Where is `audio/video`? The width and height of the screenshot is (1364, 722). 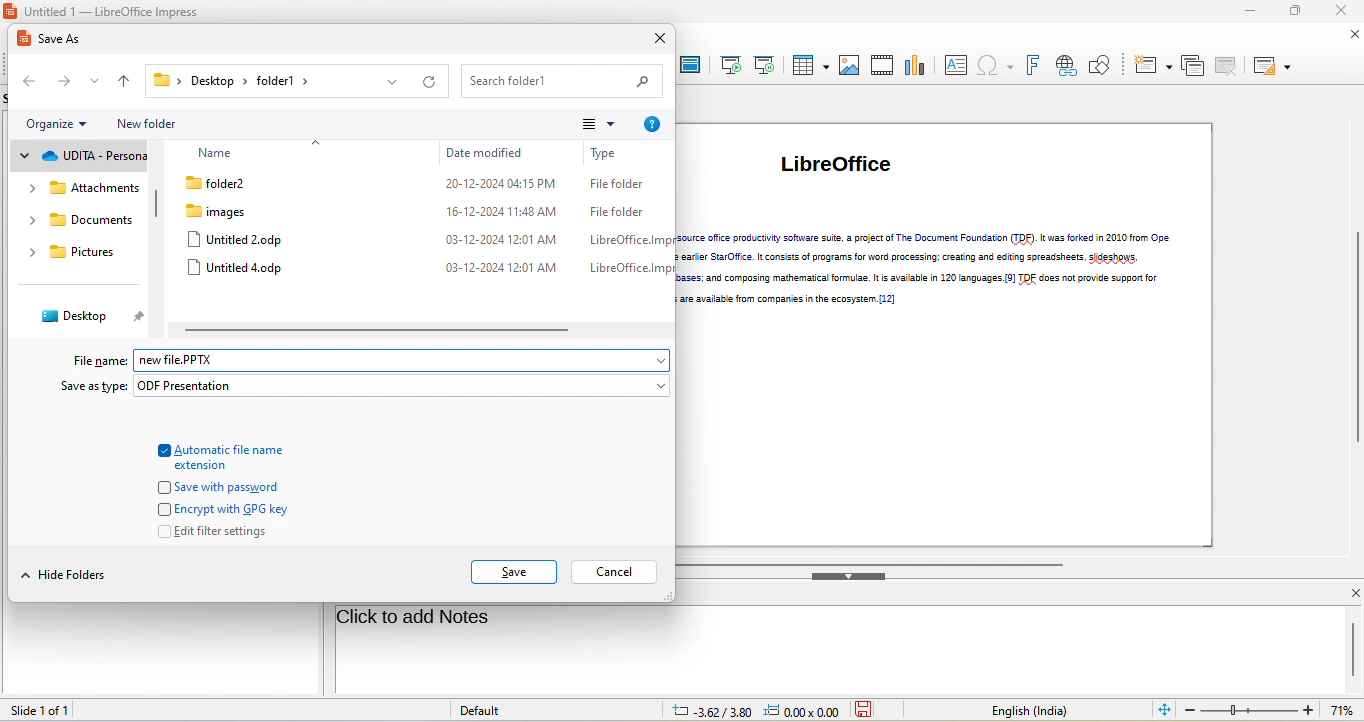
audio/video is located at coordinates (882, 65).